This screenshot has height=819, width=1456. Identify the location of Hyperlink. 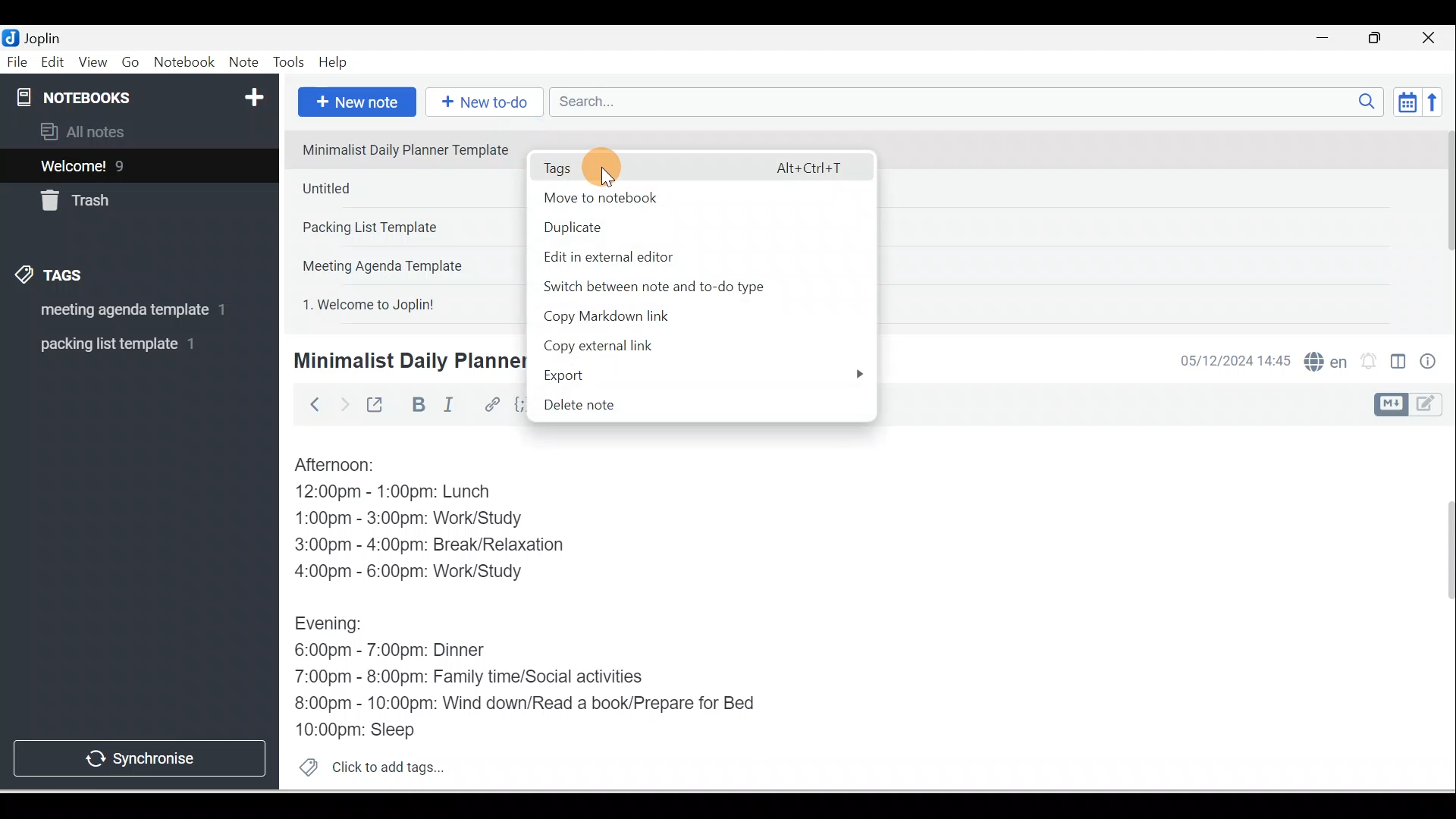
(491, 406).